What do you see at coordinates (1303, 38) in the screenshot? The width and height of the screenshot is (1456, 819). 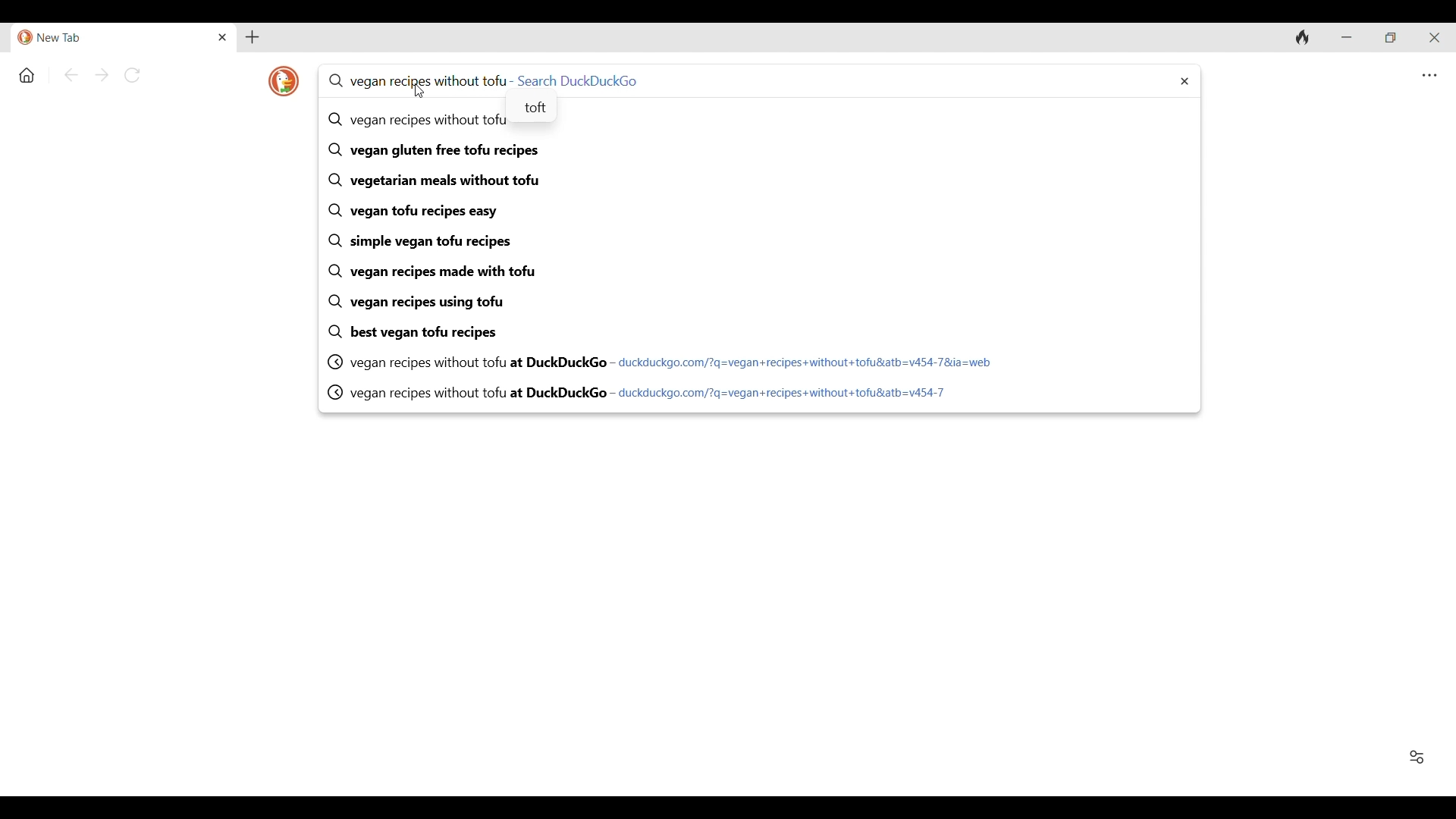 I see `Clear browsing history ` at bounding box center [1303, 38].